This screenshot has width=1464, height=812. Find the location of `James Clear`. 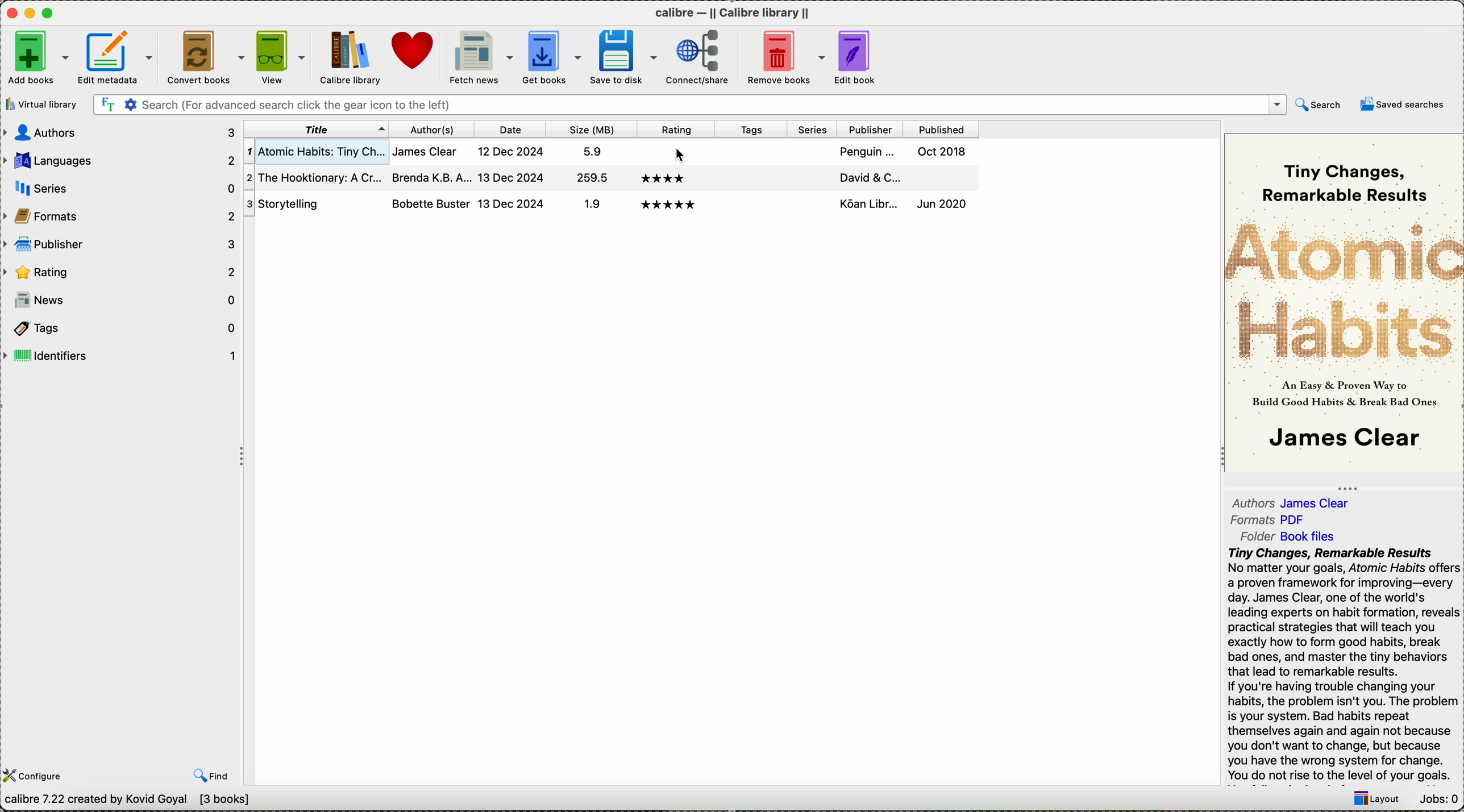

James Clear is located at coordinates (430, 151).